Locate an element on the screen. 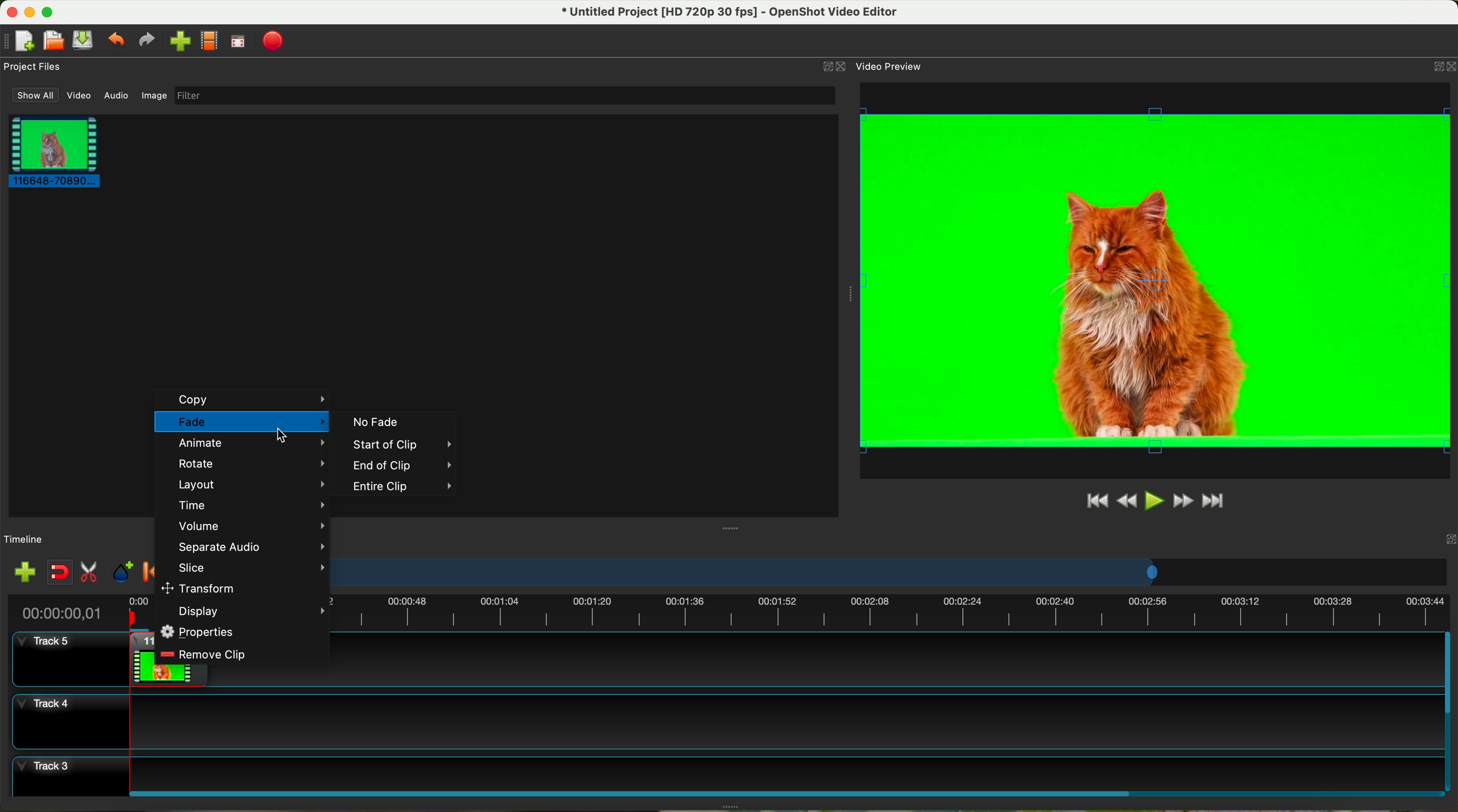 The image size is (1458, 812). start of clip is located at coordinates (395, 445).